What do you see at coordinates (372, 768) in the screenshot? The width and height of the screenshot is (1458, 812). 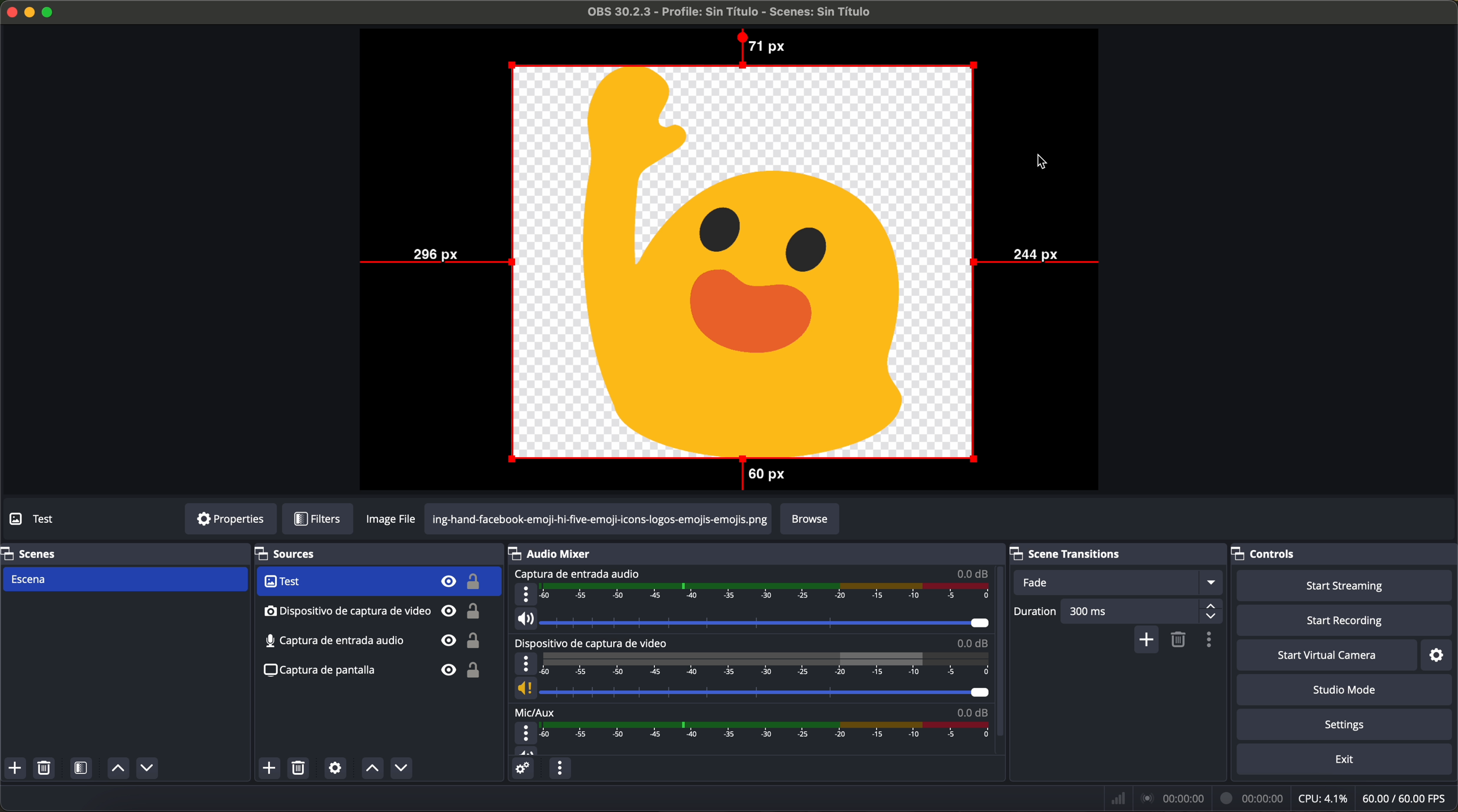 I see `move source up` at bounding box center [372, 768].